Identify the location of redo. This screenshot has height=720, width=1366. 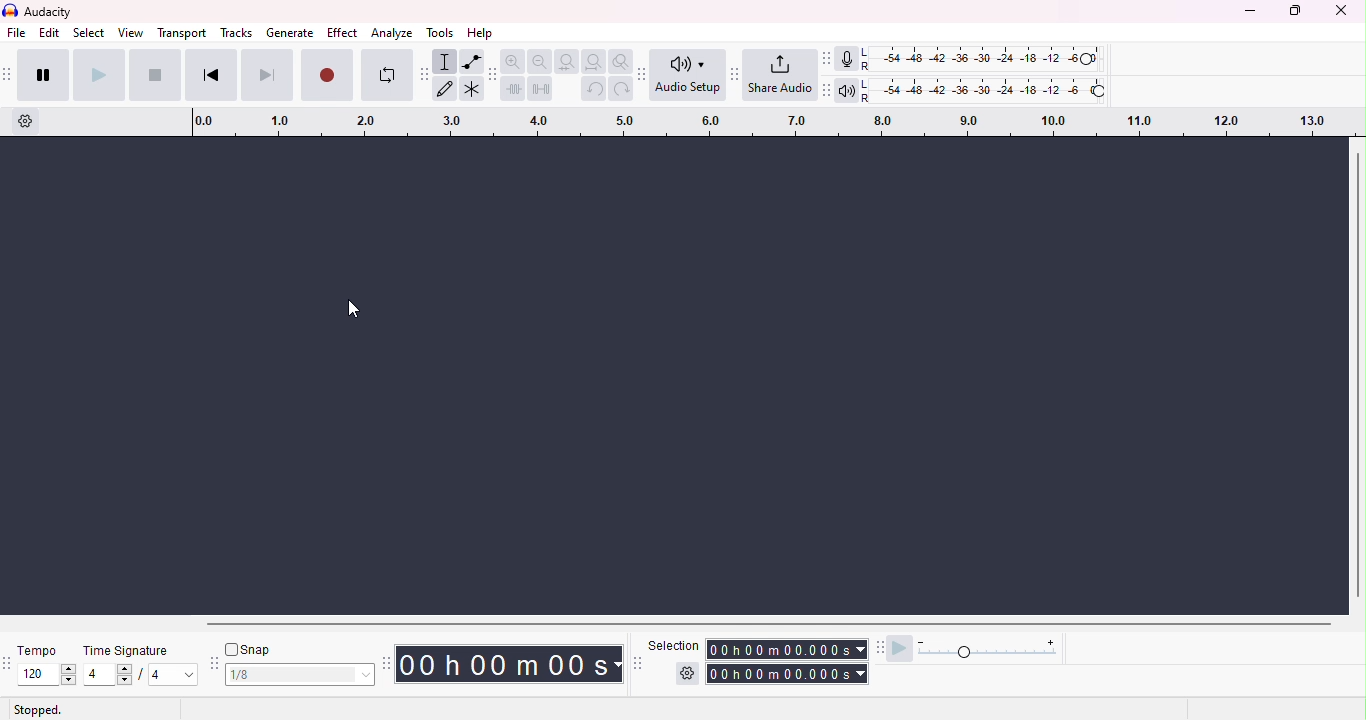
(622, 89).